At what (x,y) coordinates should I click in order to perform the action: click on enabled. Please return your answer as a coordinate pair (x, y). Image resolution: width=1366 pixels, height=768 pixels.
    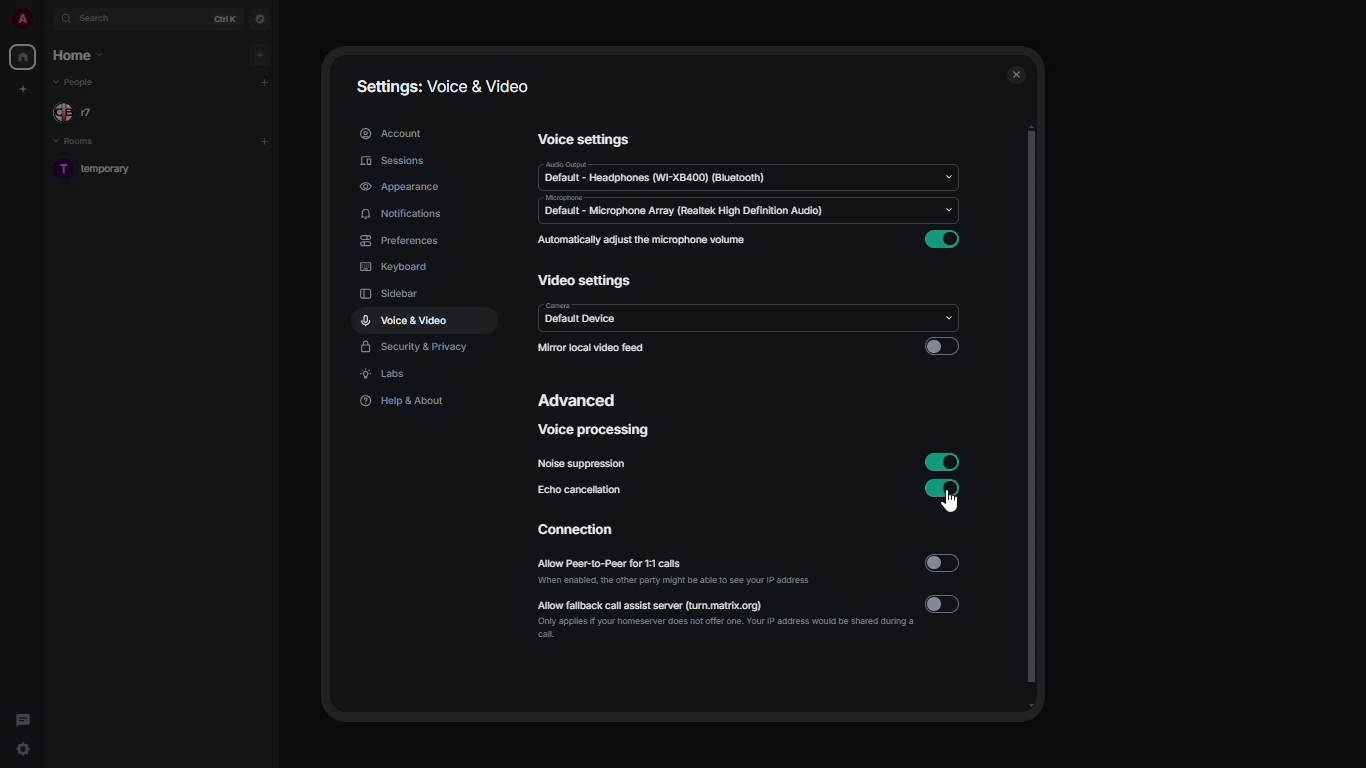
    Looking at the image, I should click on (944, 239).